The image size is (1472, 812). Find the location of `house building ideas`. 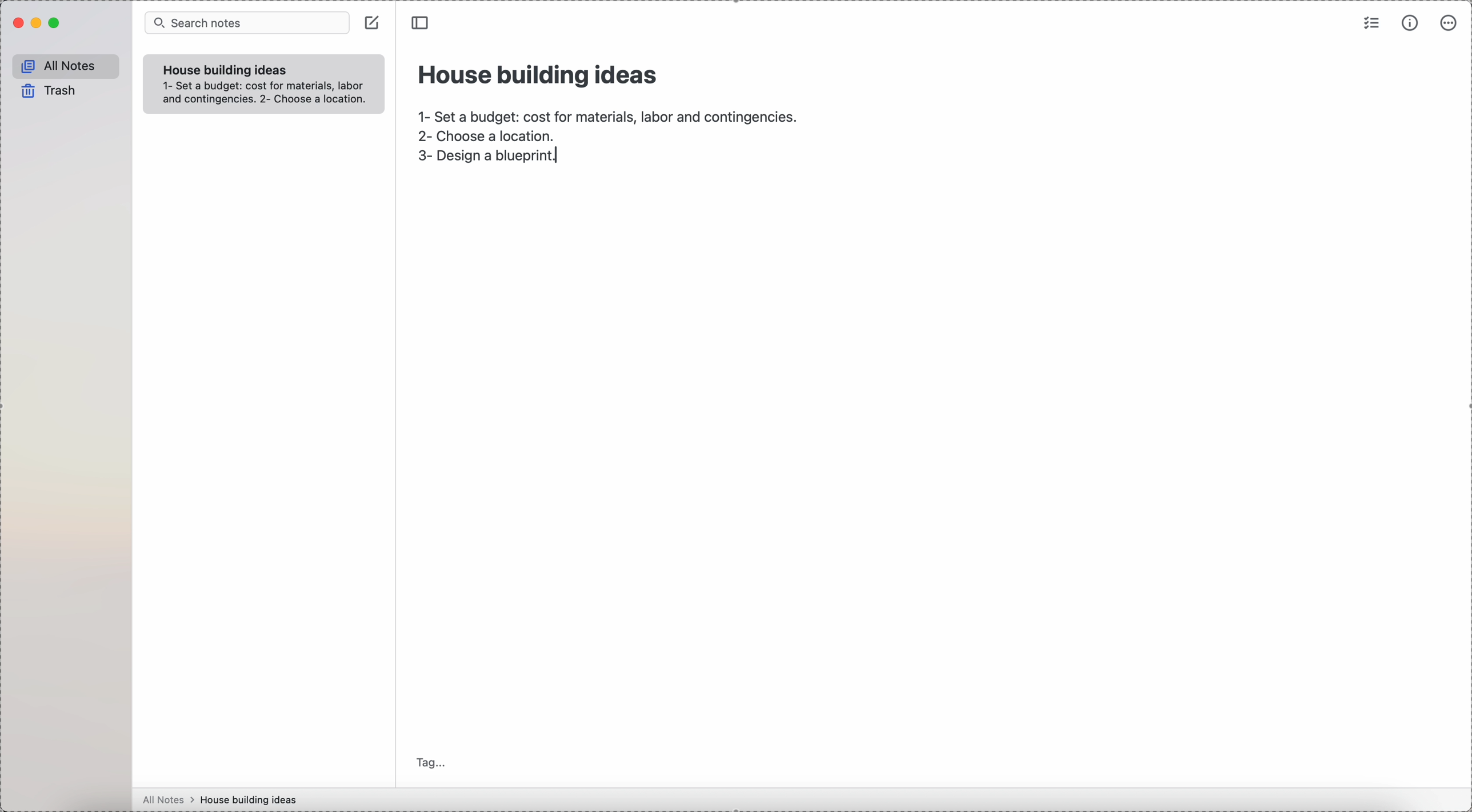

house building ideas is located at coordinates (539, 73).